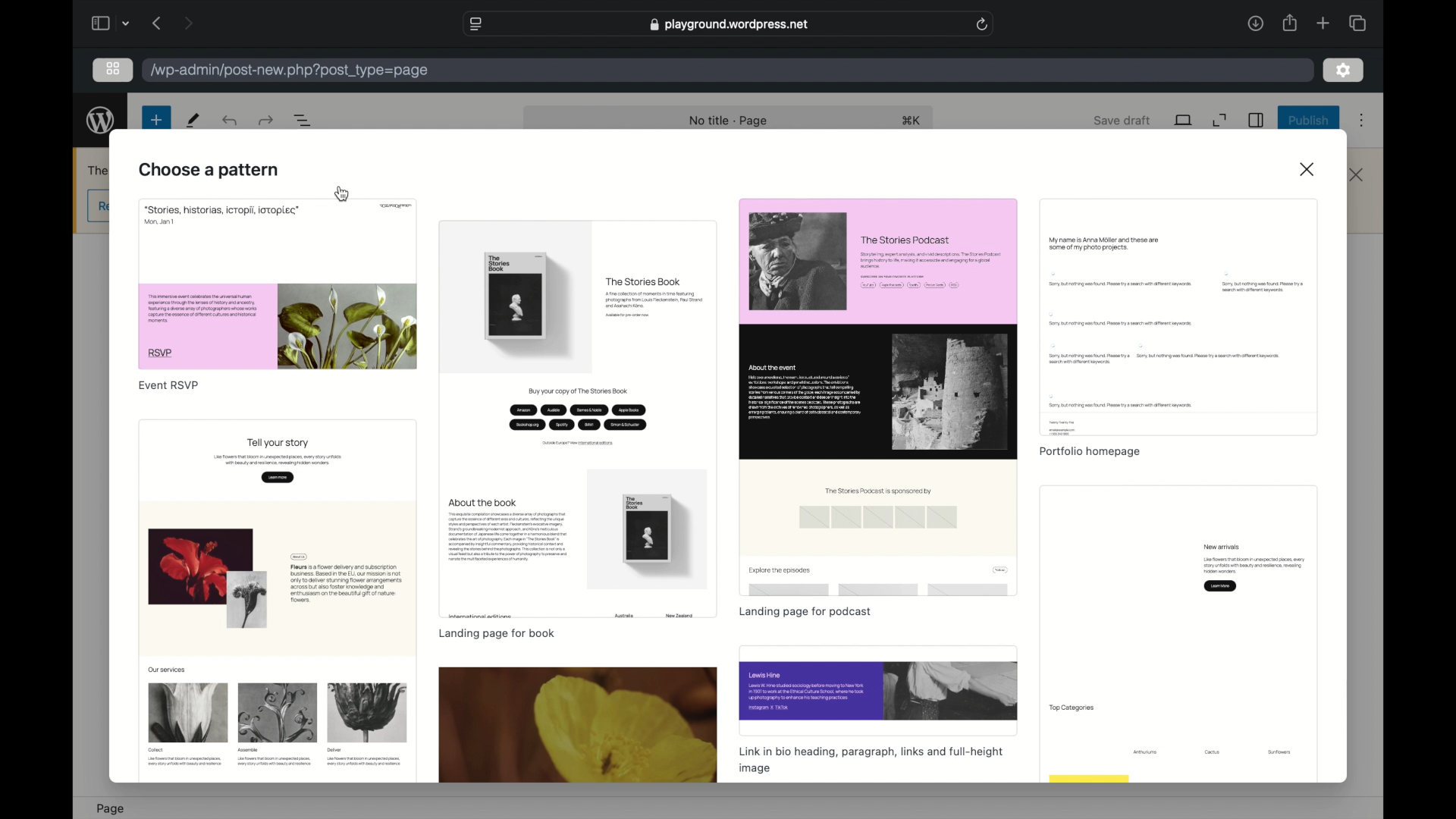  What do you see at coordinates (188, 23) in the screenshot?
I see `next page` at bounding box center [188, 23].